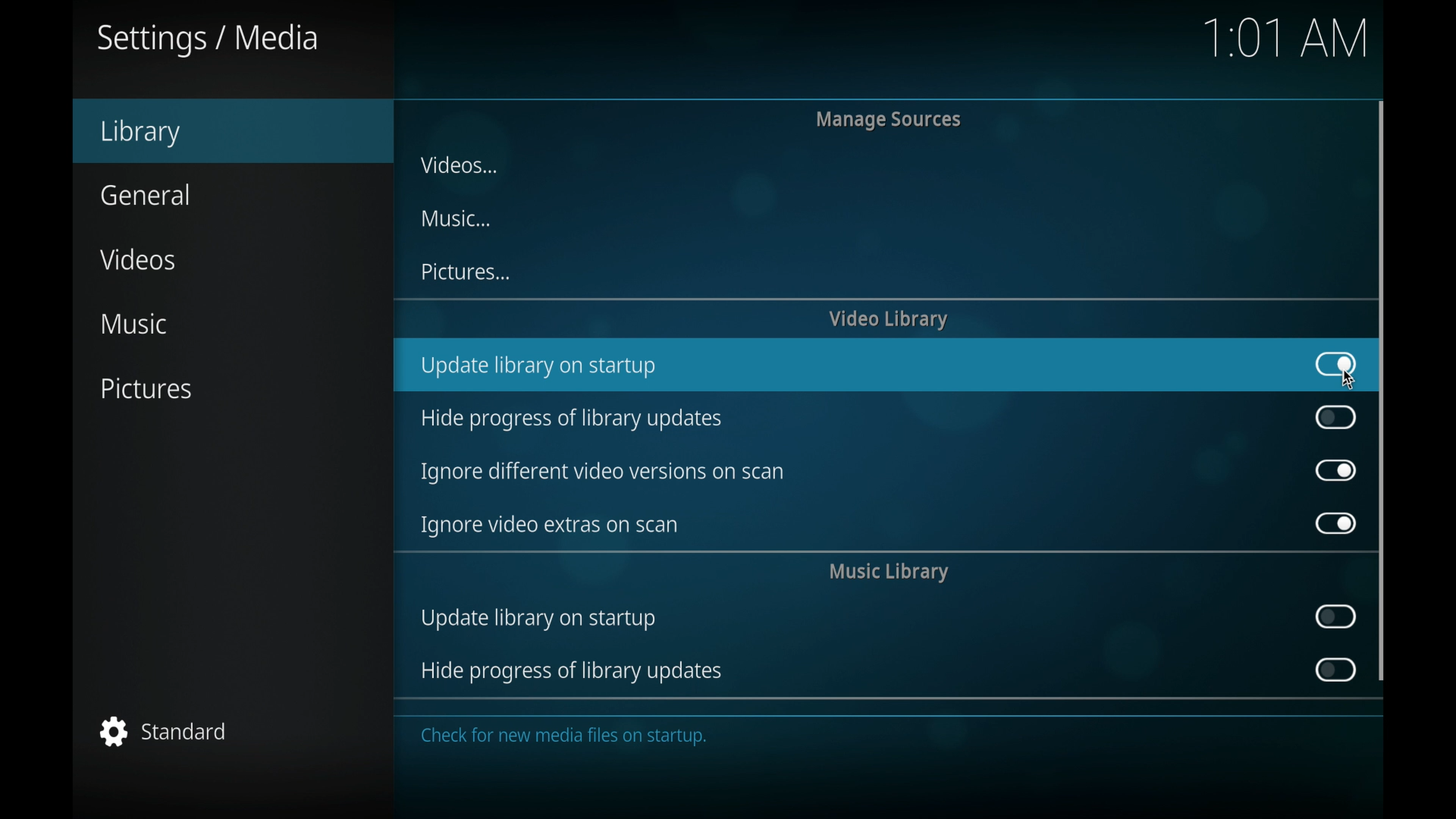 This screenshot has height=819, width=1456. Describe the element at coordinates (888, 319) in the screenshot. I see `video library` at that location.